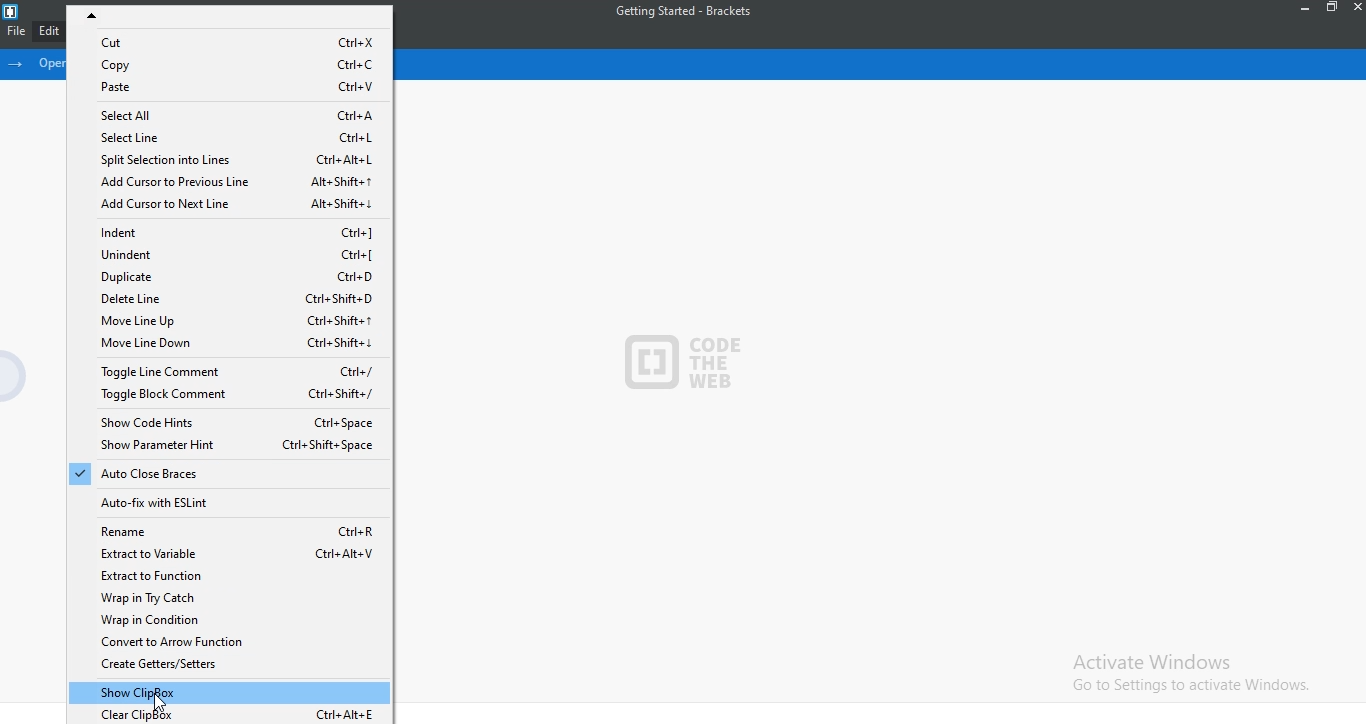 The width and height of the screenshot is (1366, 724). I want to click on Select Line, so click(226, 136).